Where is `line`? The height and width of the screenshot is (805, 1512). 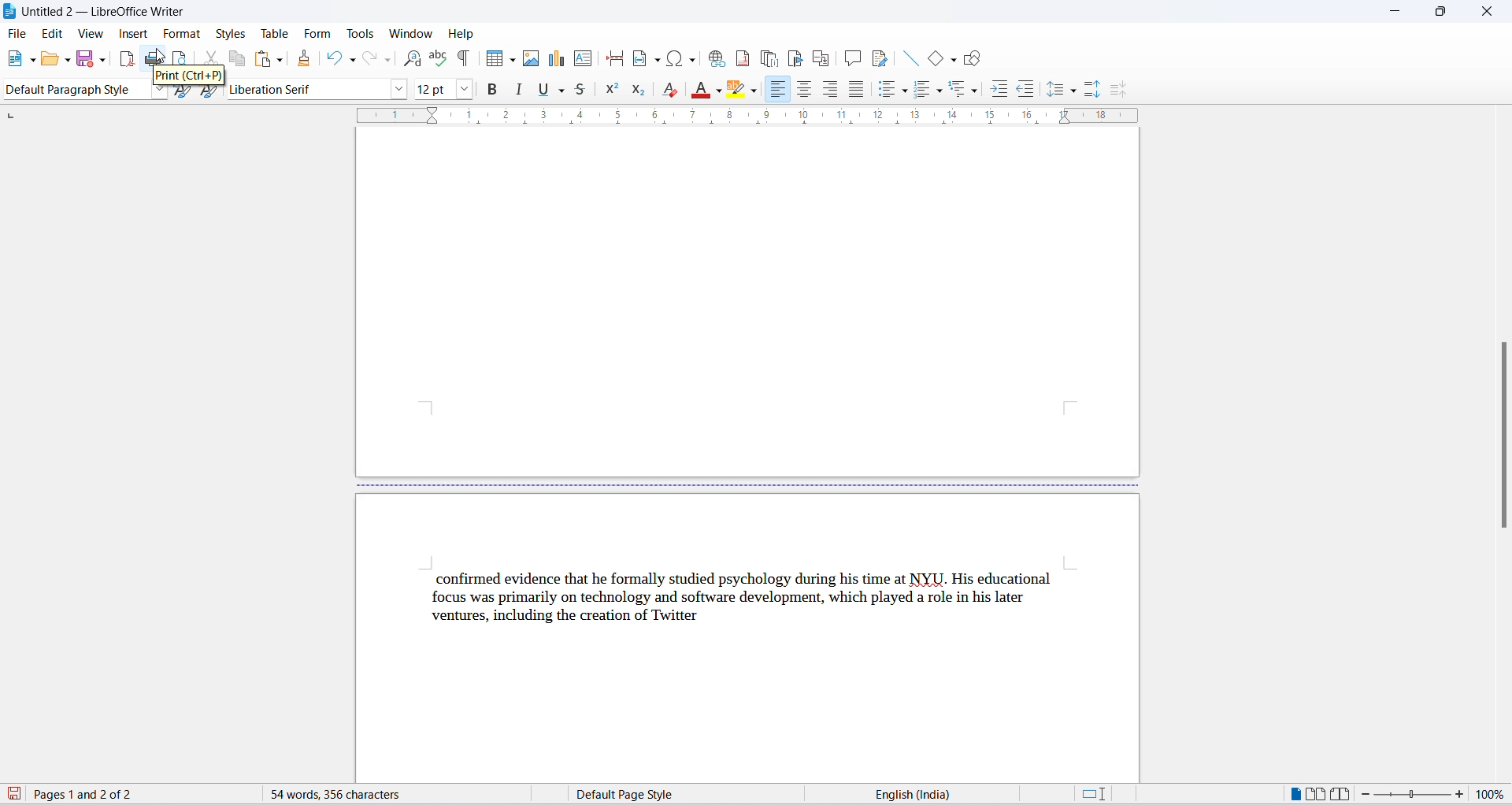 line is located at coordinates (913, 58).